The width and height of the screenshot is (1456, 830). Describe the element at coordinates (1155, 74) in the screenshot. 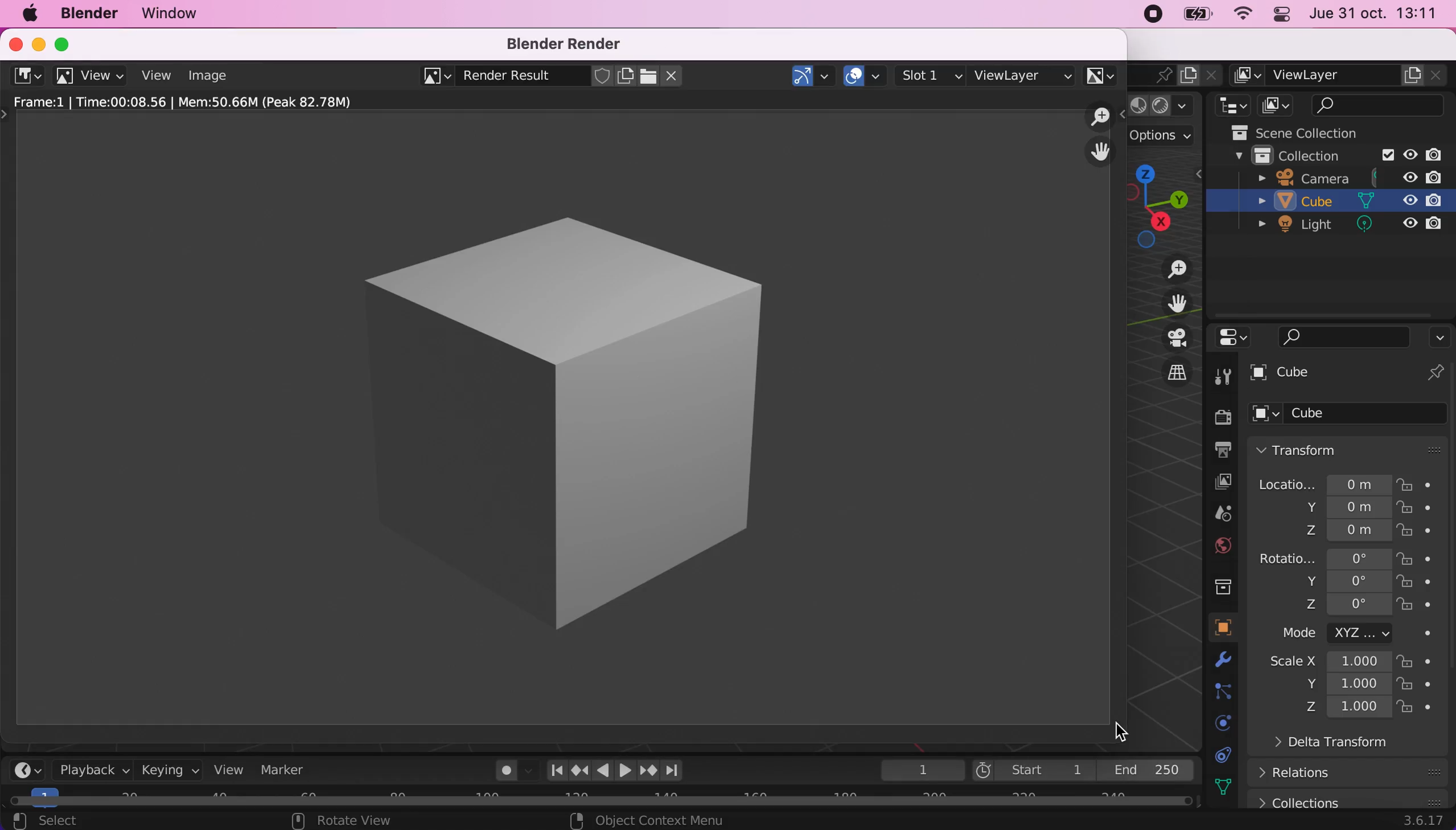

I see `scene` at that location.